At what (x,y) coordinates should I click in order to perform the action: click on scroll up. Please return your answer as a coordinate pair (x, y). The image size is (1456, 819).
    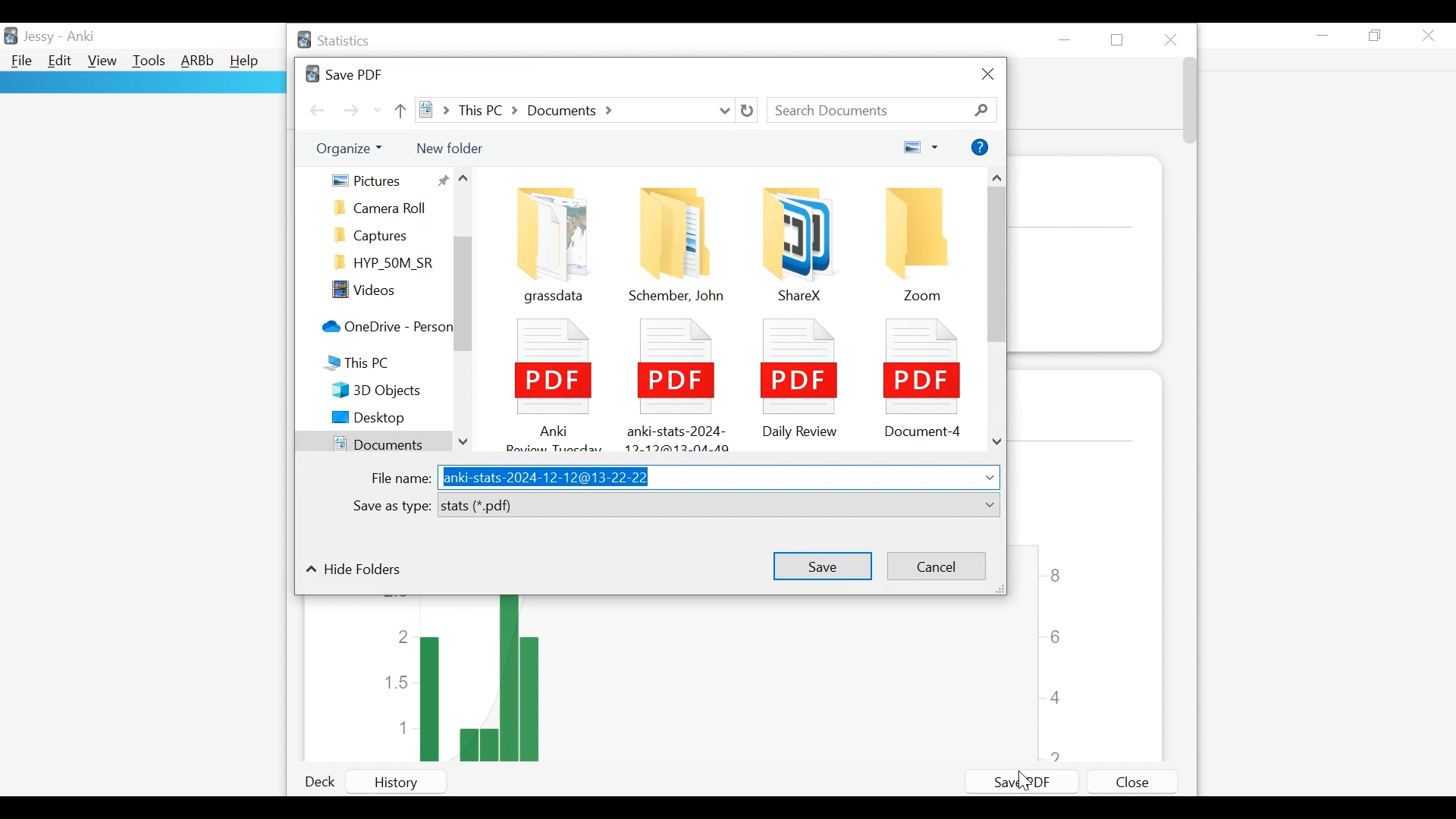
    Looking at the image, I should click on (467, 180).